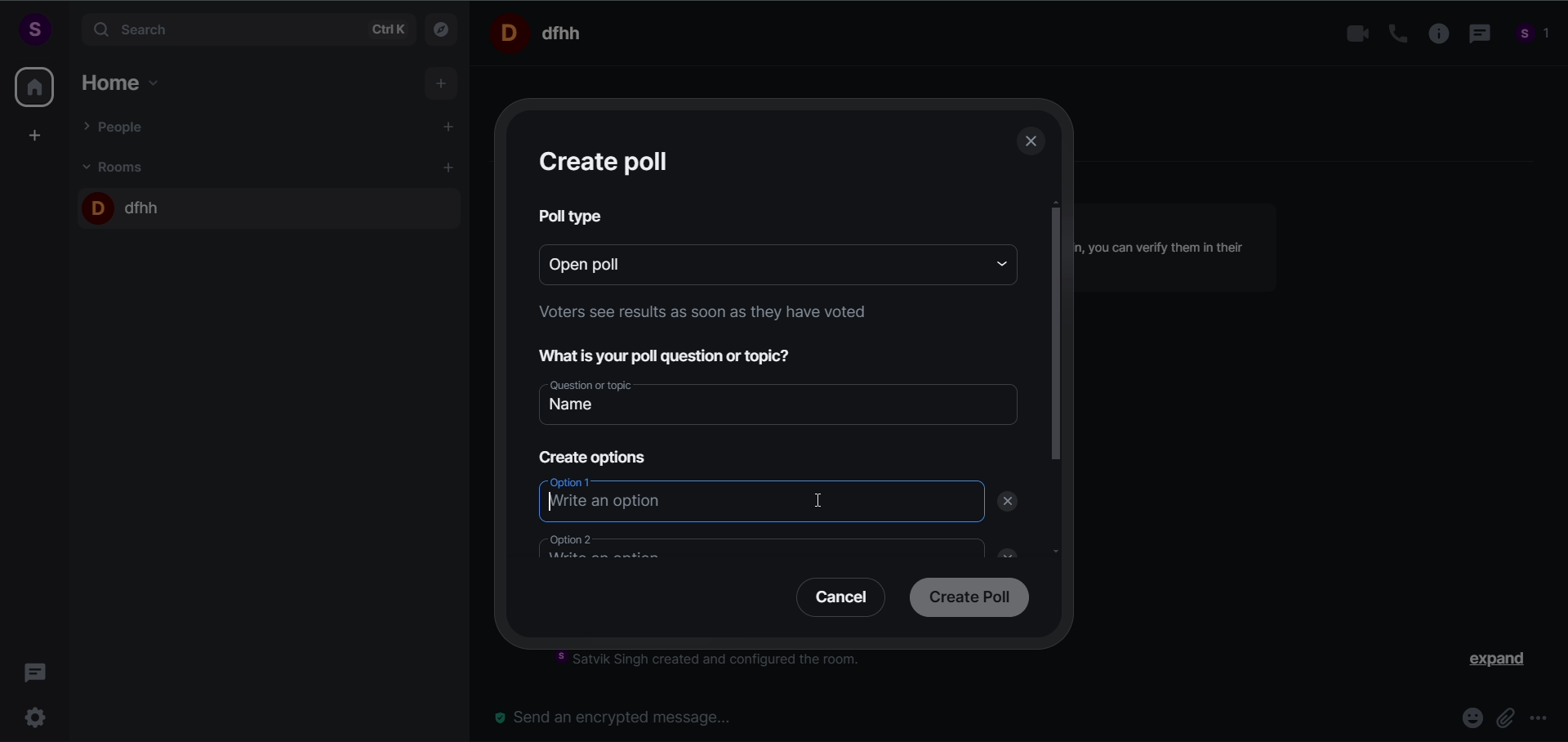 This screenshot has width=1568, height=742. What do you see at coordinates (127, 80) in the screenshot?
I see `home option` at bounding box center [127, 80].